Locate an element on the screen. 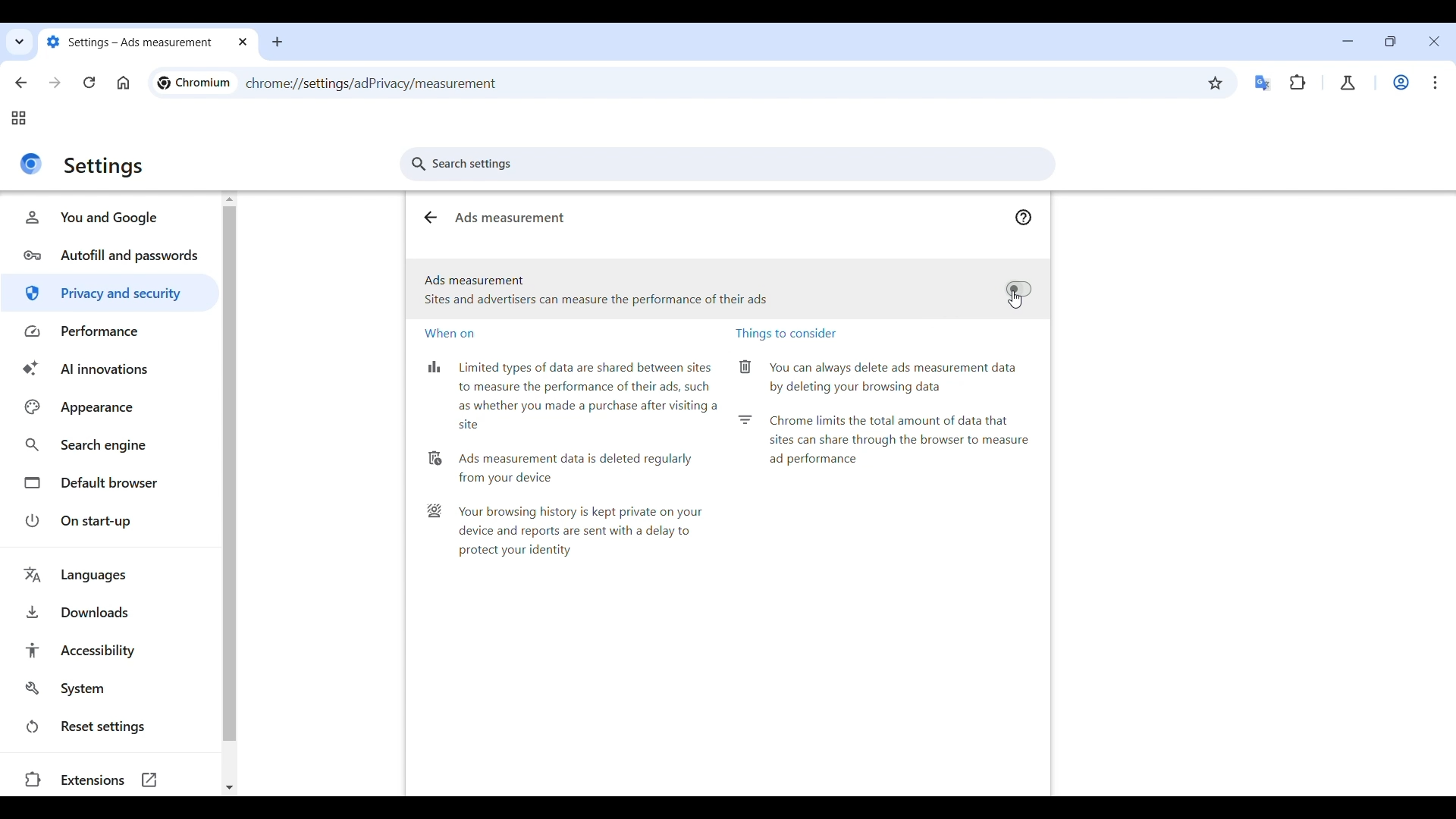  You and Google is located at coordinates (111, 218).